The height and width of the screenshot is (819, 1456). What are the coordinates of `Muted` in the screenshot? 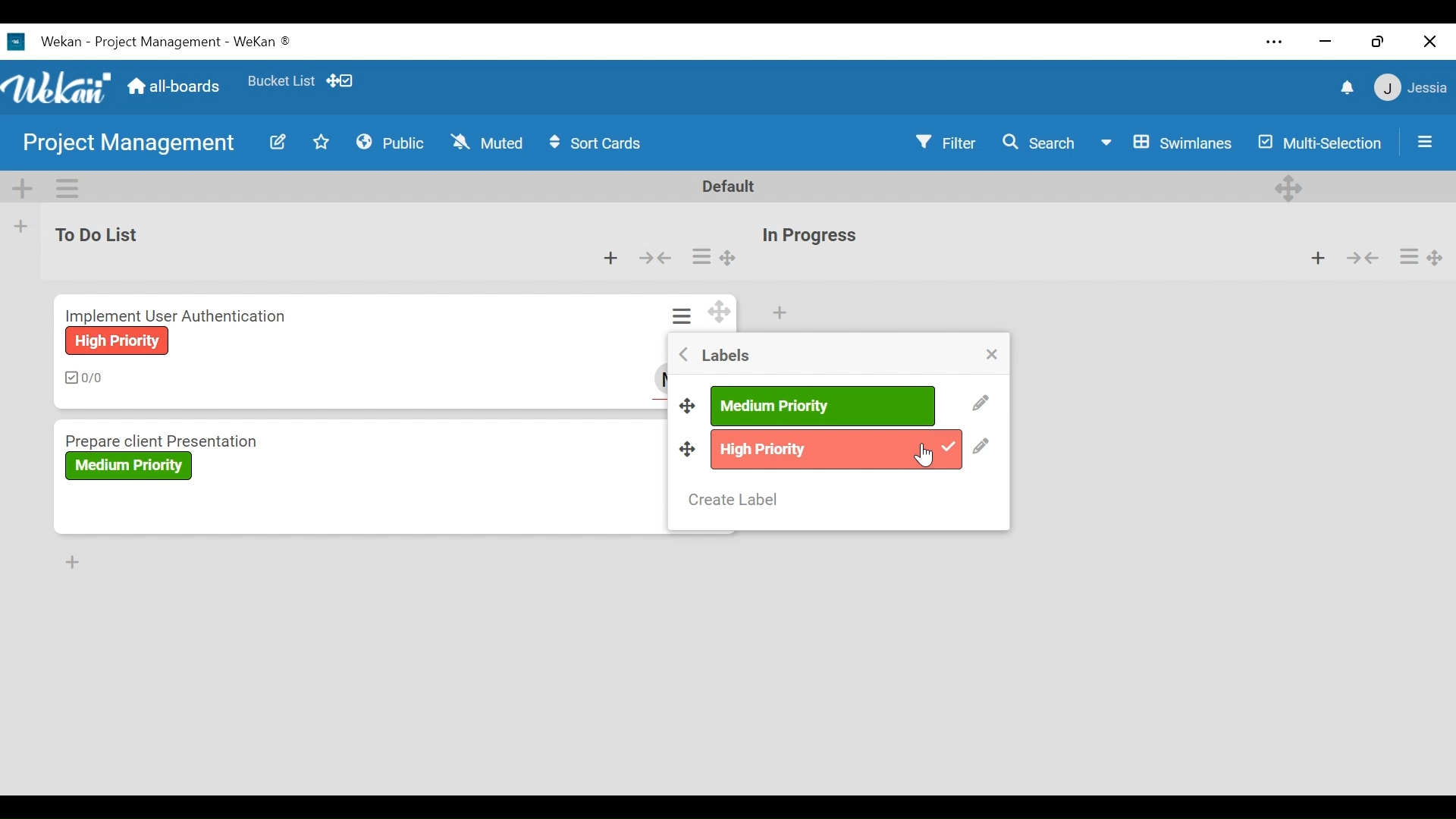 It's located at (486, 142).